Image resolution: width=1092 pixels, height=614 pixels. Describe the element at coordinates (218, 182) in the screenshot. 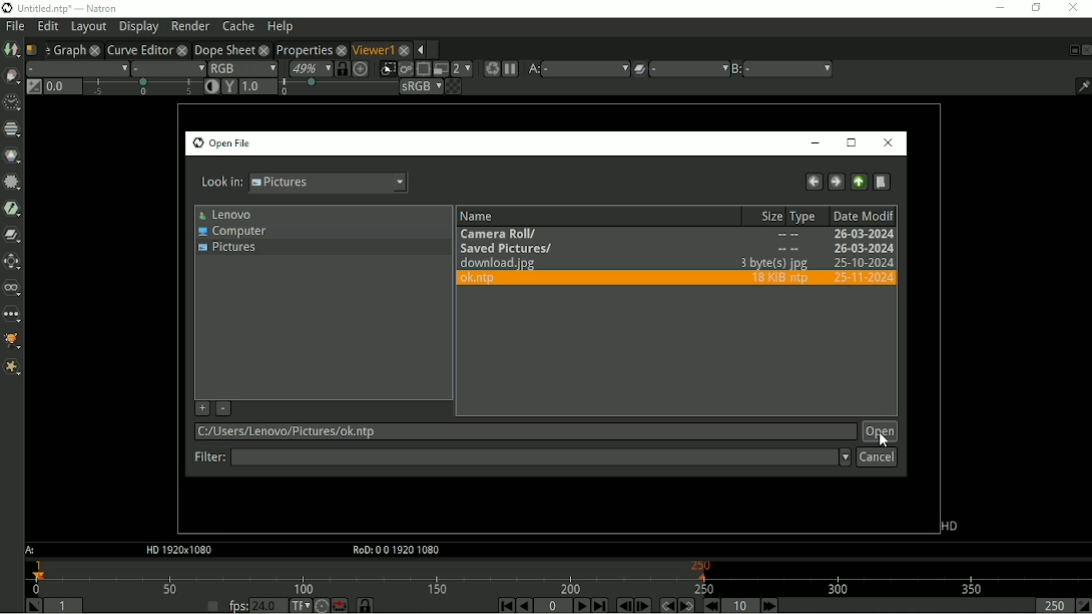

I see `Look in` at that location.